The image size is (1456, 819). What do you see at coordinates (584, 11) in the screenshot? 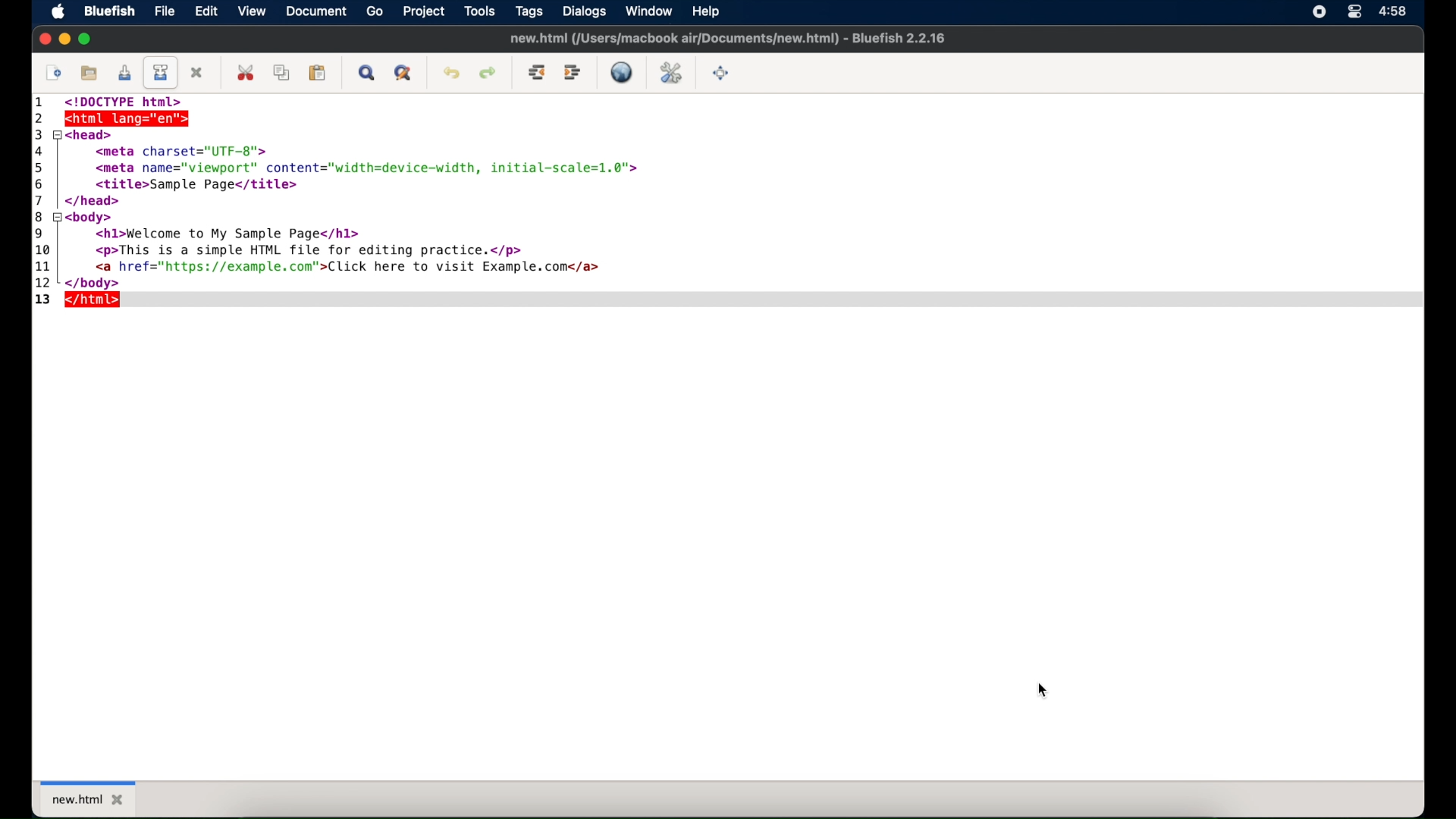
I see `dialogs` at bounding box center [584, 11].